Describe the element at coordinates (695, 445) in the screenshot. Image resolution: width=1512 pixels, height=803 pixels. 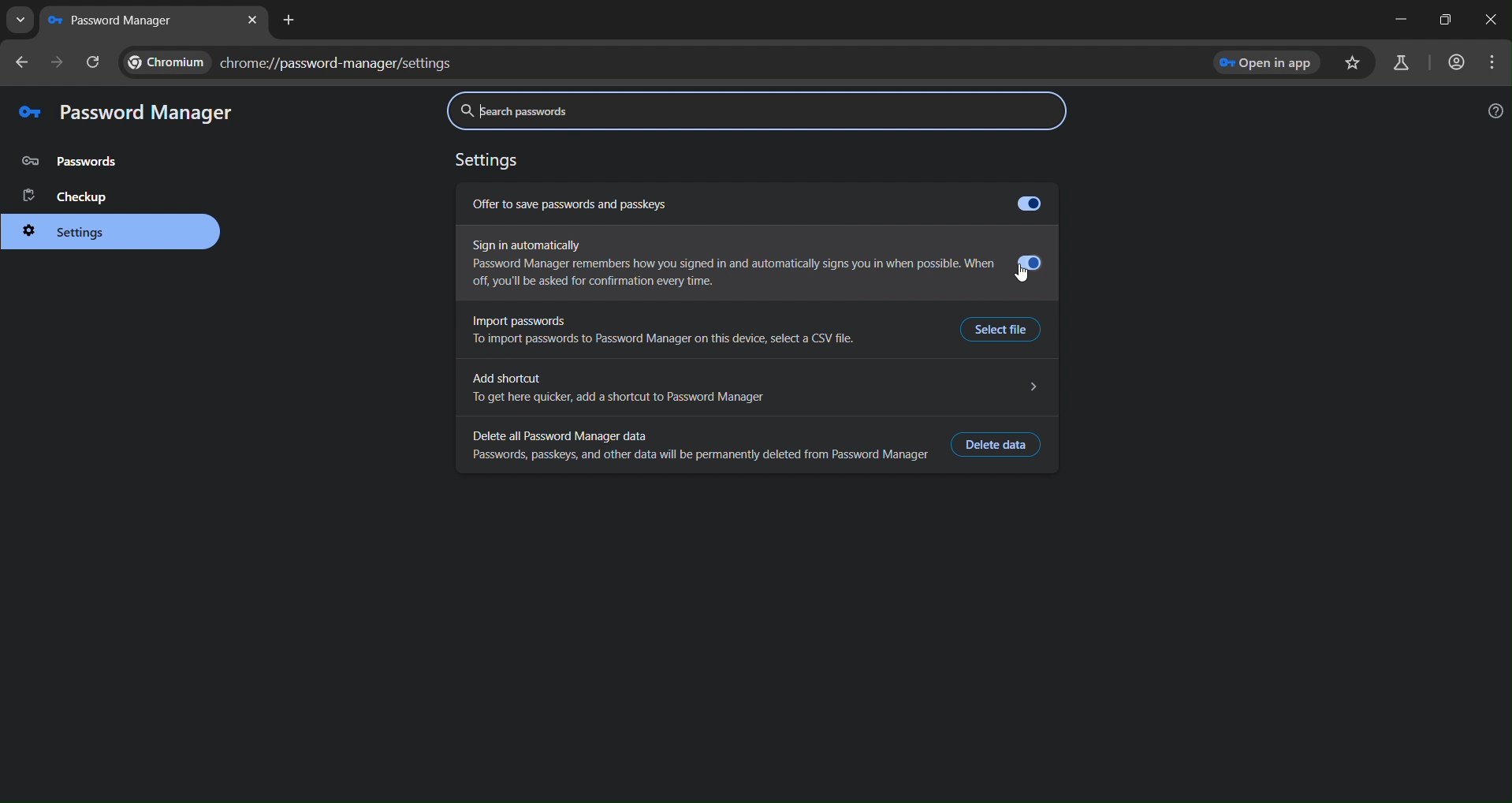
I see `Delete all Password Manager data
Passwords, passkeys, and other data will be permanently deleted from Password Manager` at that location.